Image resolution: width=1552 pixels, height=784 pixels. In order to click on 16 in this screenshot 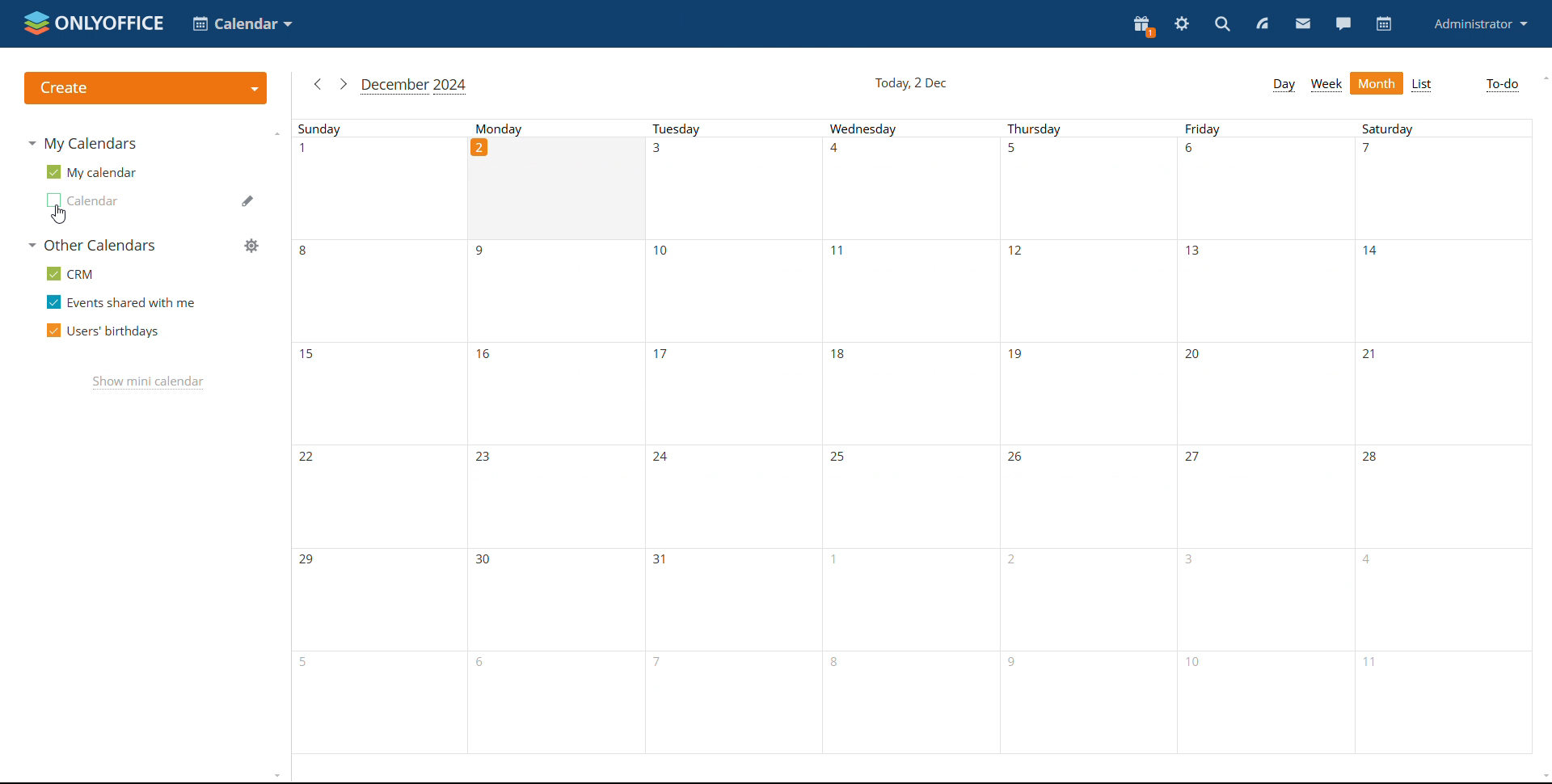, I will do `click(557, 390)`.